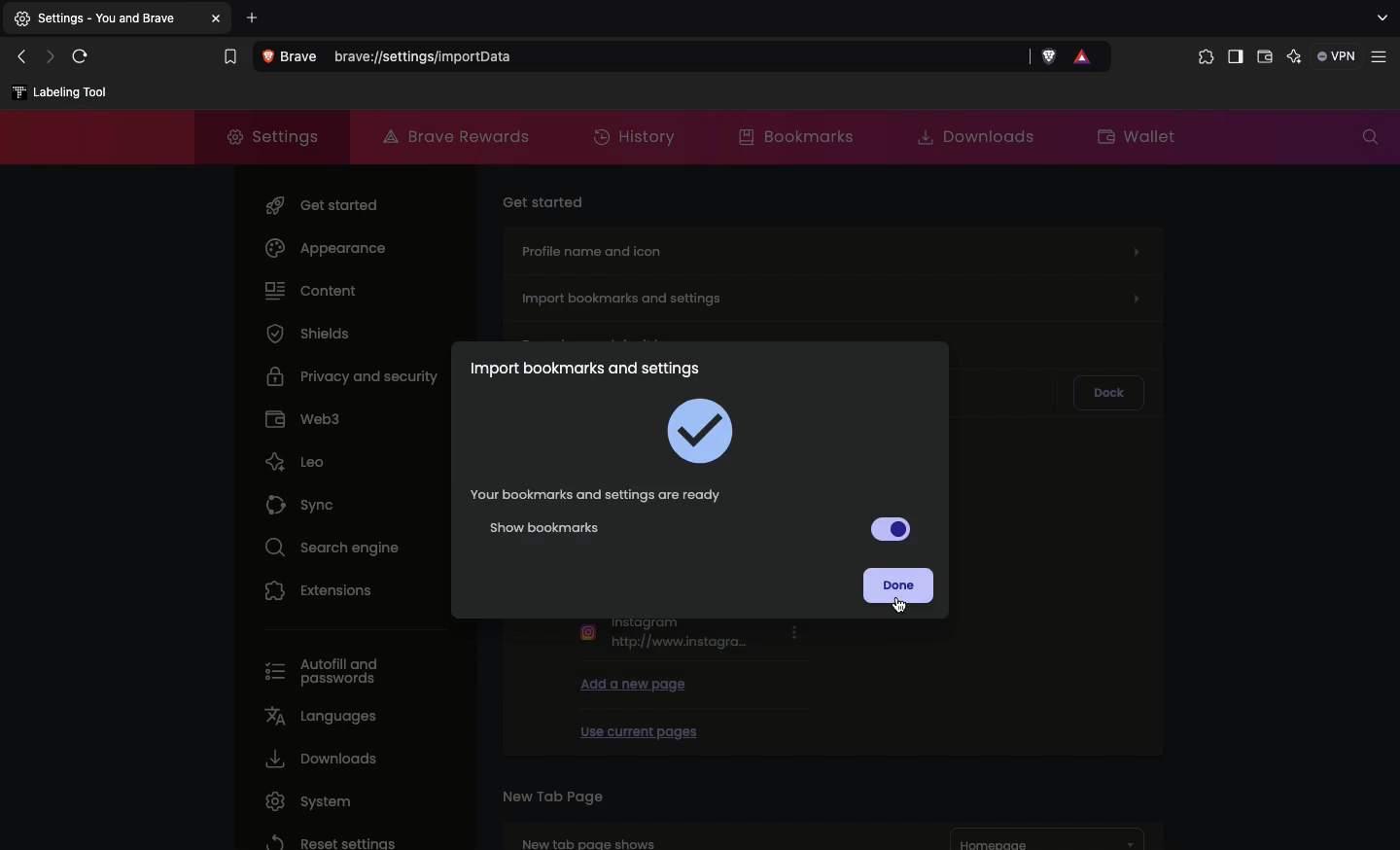  Describe the element at coordinates (830, 248) in the screenshot. I see `Profile name and icon` at that location.